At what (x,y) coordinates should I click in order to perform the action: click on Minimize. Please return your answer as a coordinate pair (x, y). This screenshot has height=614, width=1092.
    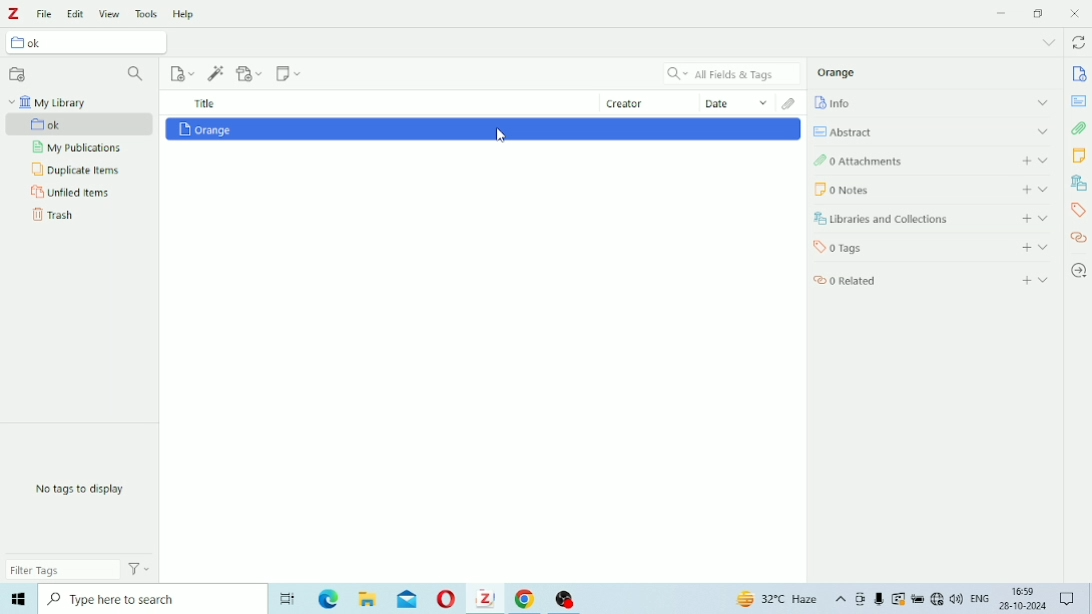
    Looking at the image, I should click on (1001, 13).